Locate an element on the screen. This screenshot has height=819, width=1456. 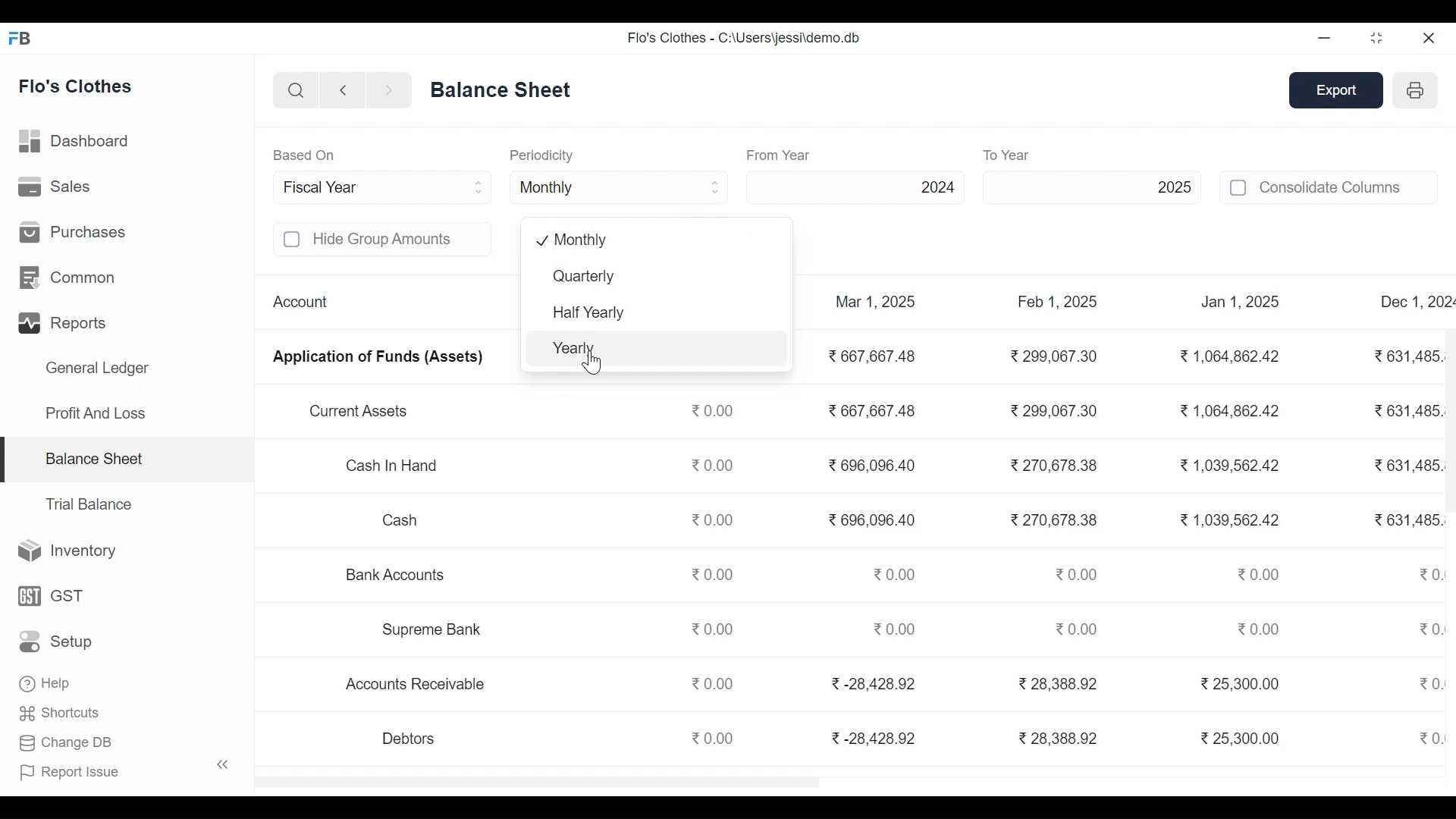
Monthly is located at coordinates (650, 240).